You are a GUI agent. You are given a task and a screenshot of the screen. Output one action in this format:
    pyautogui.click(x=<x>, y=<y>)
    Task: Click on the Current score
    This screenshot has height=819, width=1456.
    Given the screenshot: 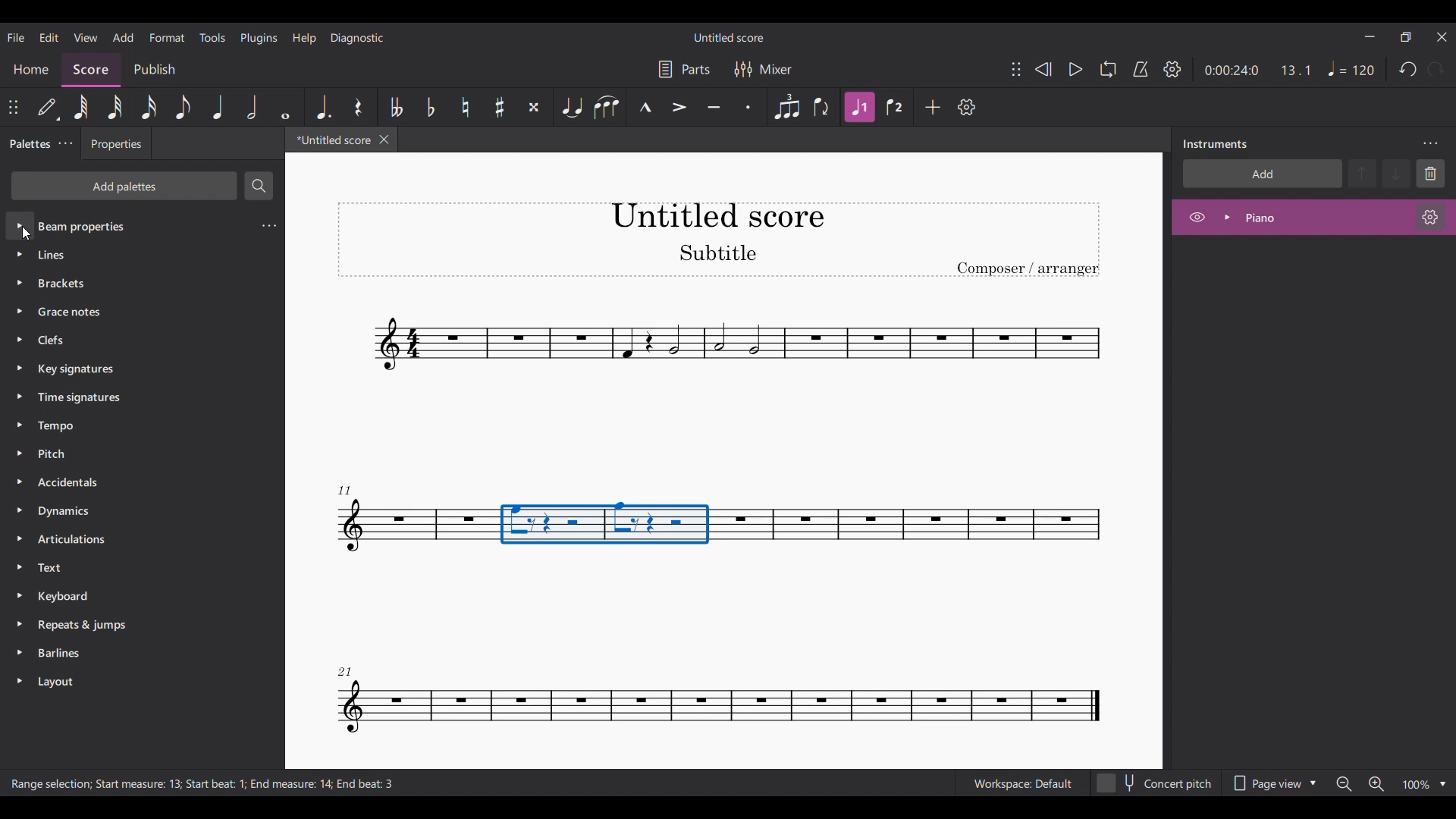 What is the action you would take?
    pyautogui.click(x=329, y=143)
    